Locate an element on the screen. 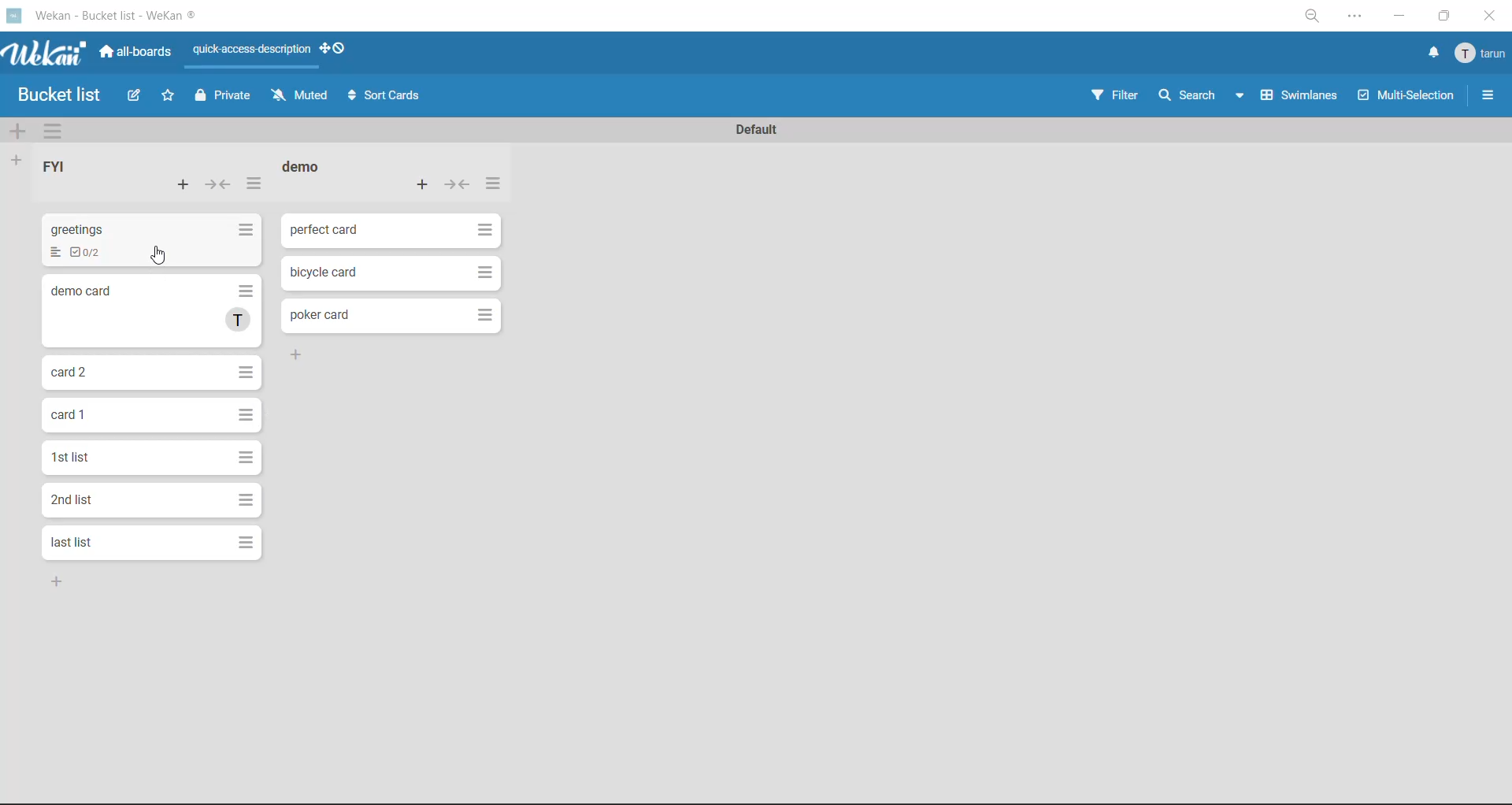 The width and height of the screenshot is (1512, 805). list title is located at coordinates (303, 167).